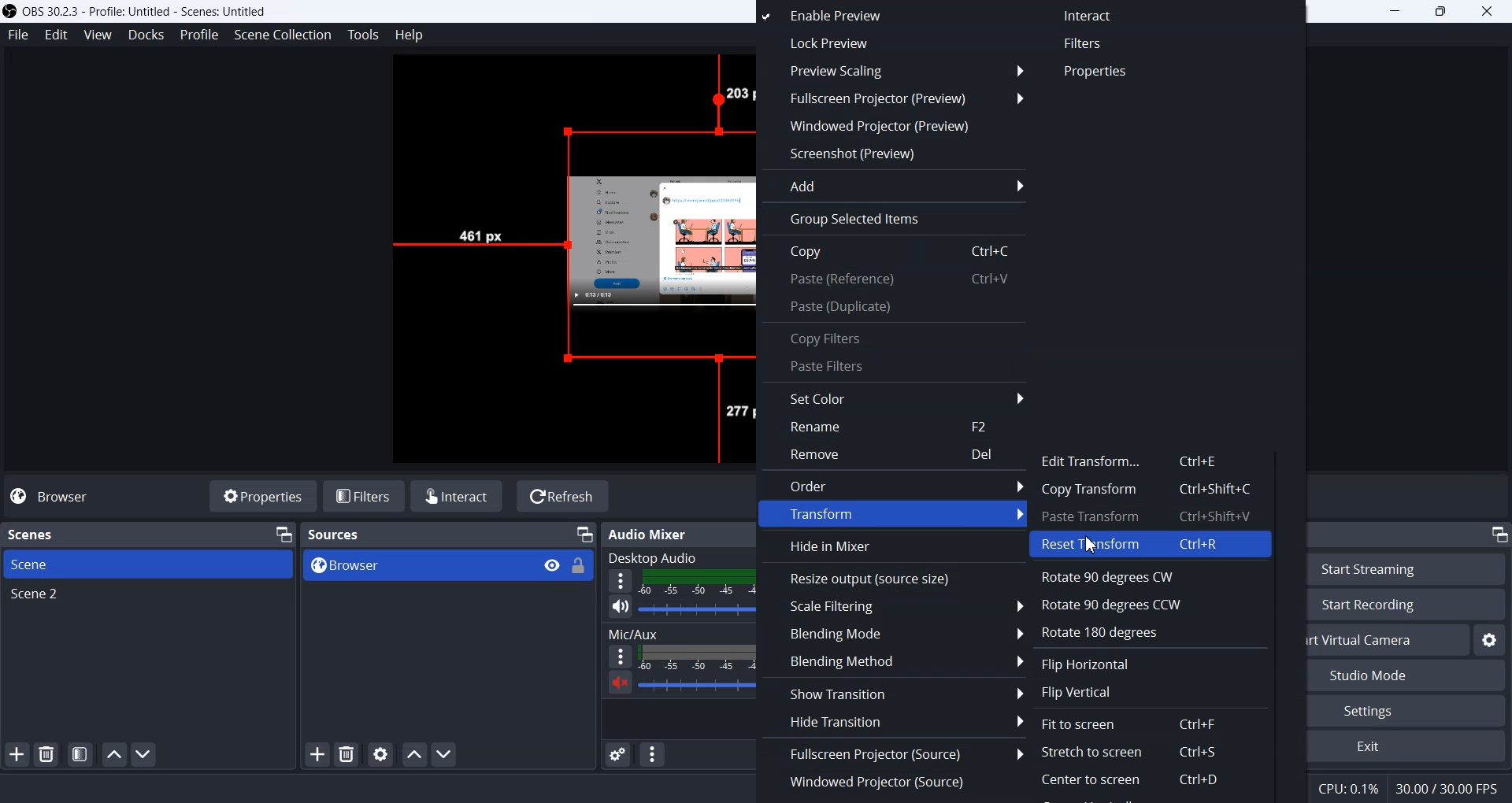 This screenshot has width=1512, height=803. What do you see at coordinates (895, 455) in the screenshot?
I see `Remove` at bounding box center [895, 455].